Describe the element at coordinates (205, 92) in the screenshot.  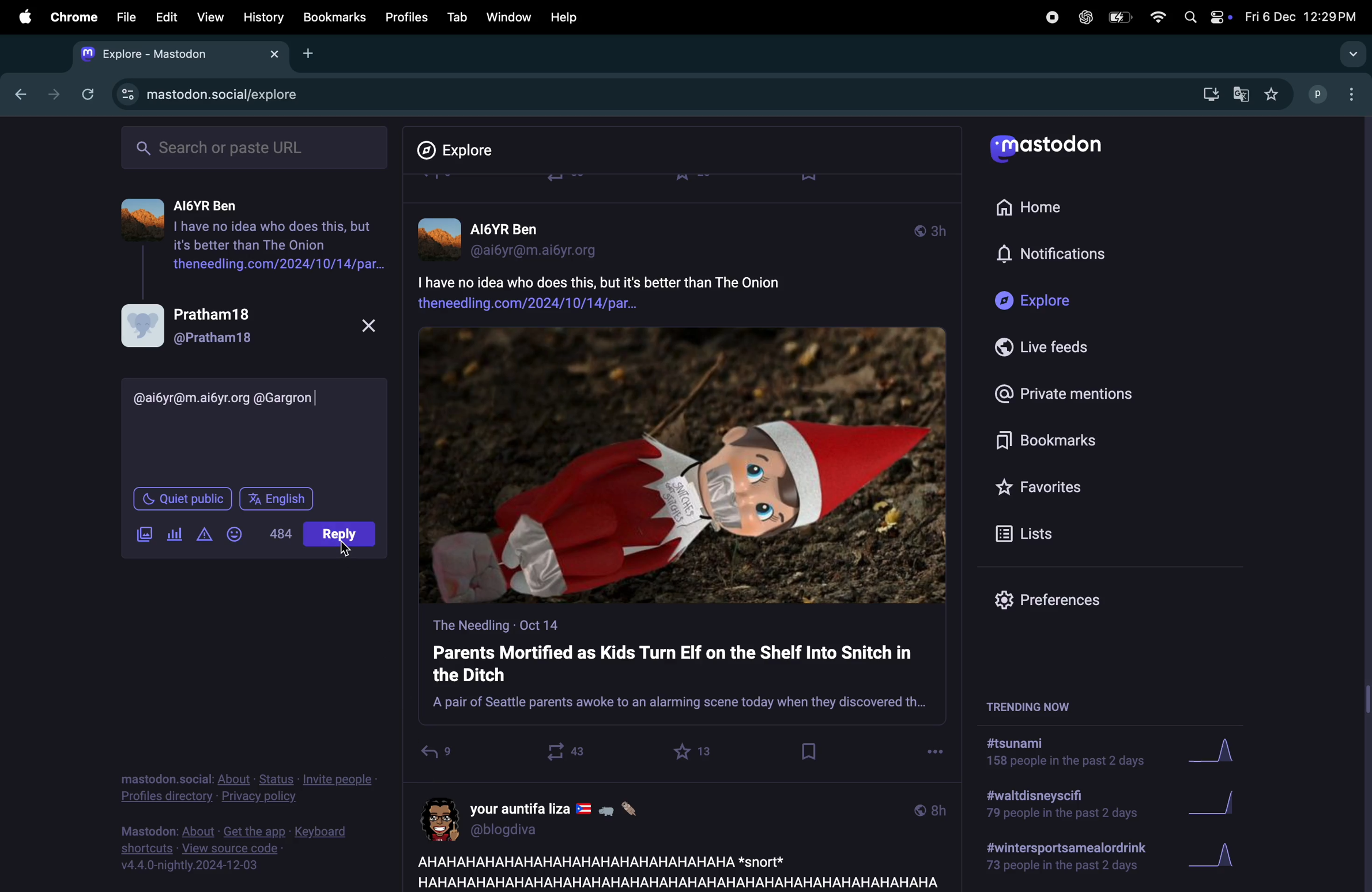
I see `mastodo explore` at that location.